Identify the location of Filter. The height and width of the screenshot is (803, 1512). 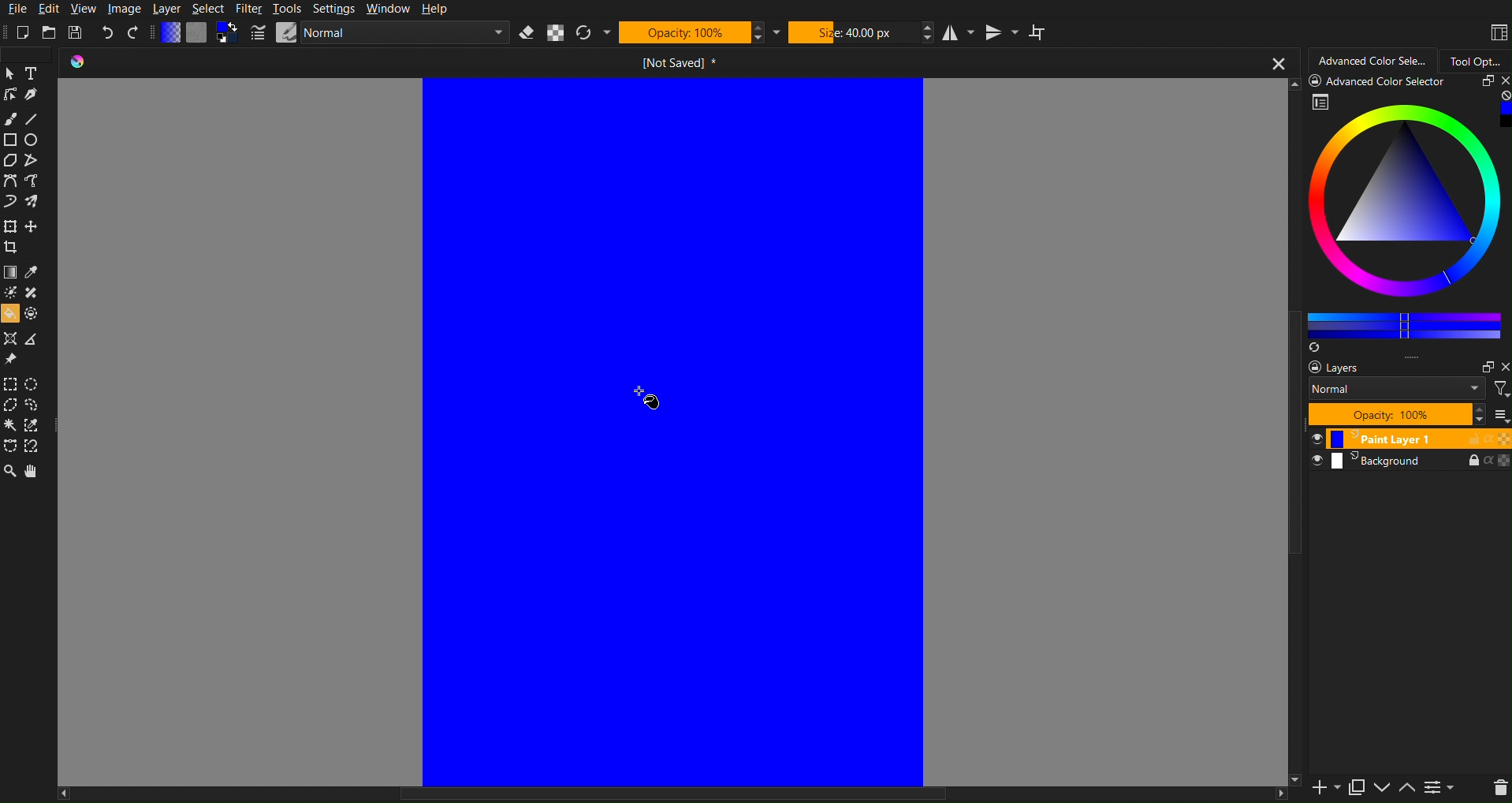
(248, 9).